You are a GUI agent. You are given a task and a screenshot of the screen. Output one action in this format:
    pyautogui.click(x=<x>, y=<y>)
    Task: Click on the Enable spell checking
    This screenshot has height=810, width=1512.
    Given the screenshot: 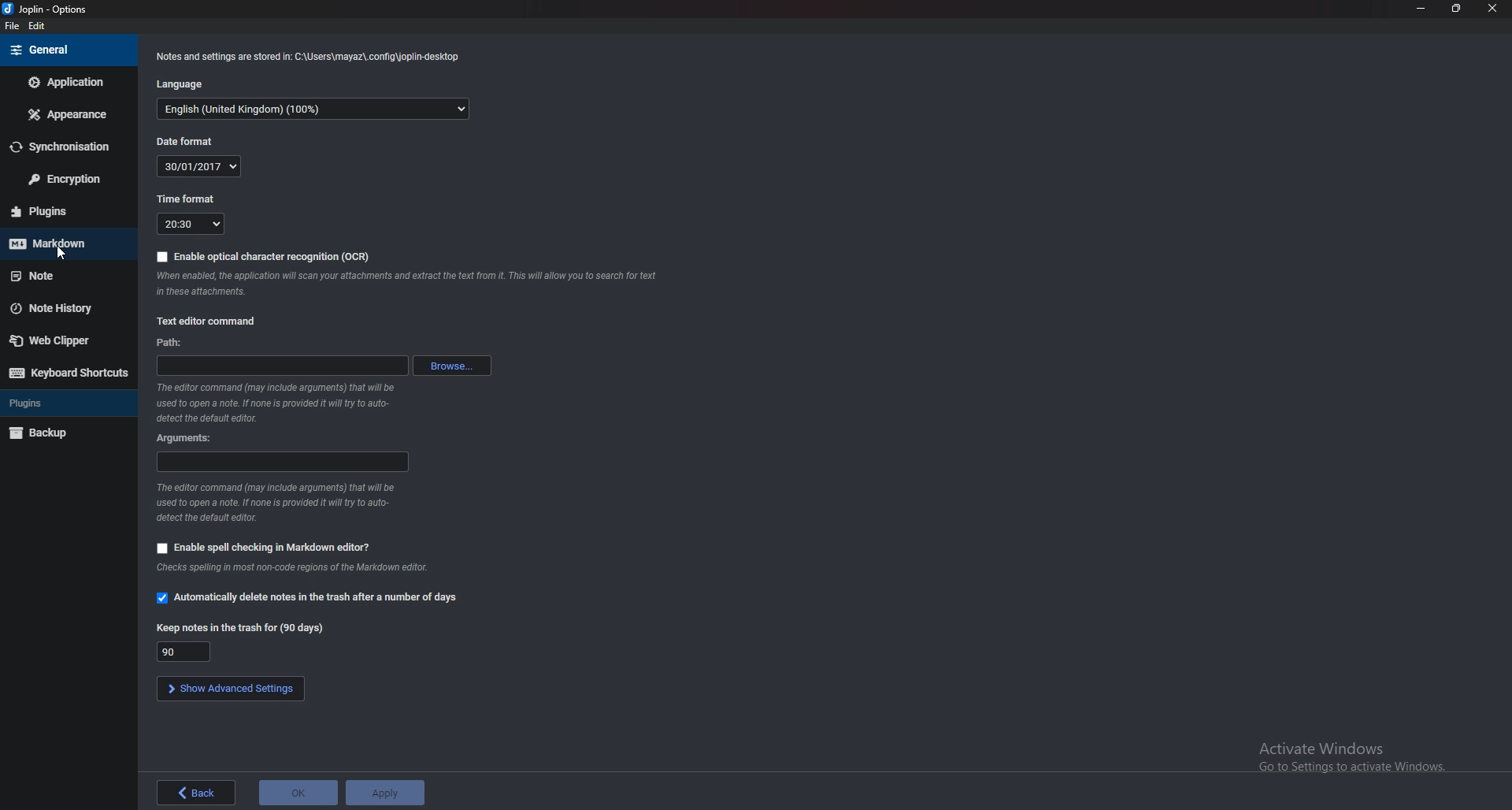 What is the action you would take?
    pyautogui.click(x=266, y=548)
    